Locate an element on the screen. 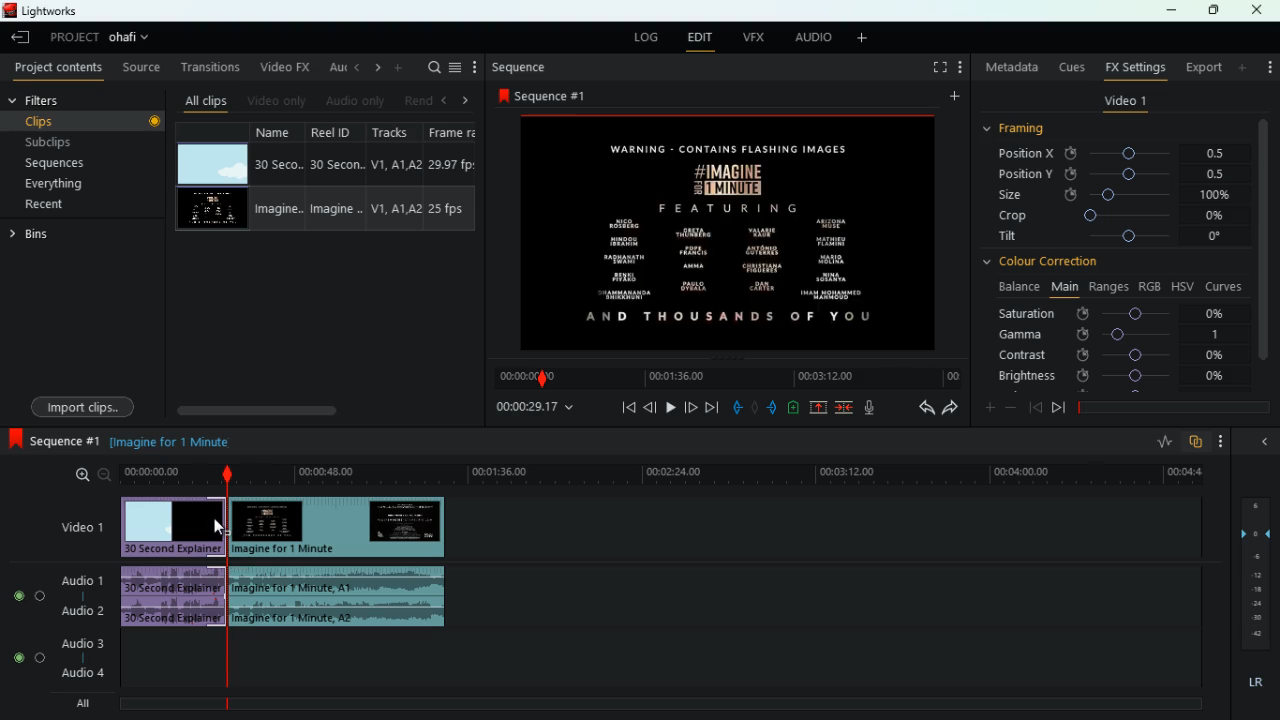  metadata is located at coordinates (1012, 67).